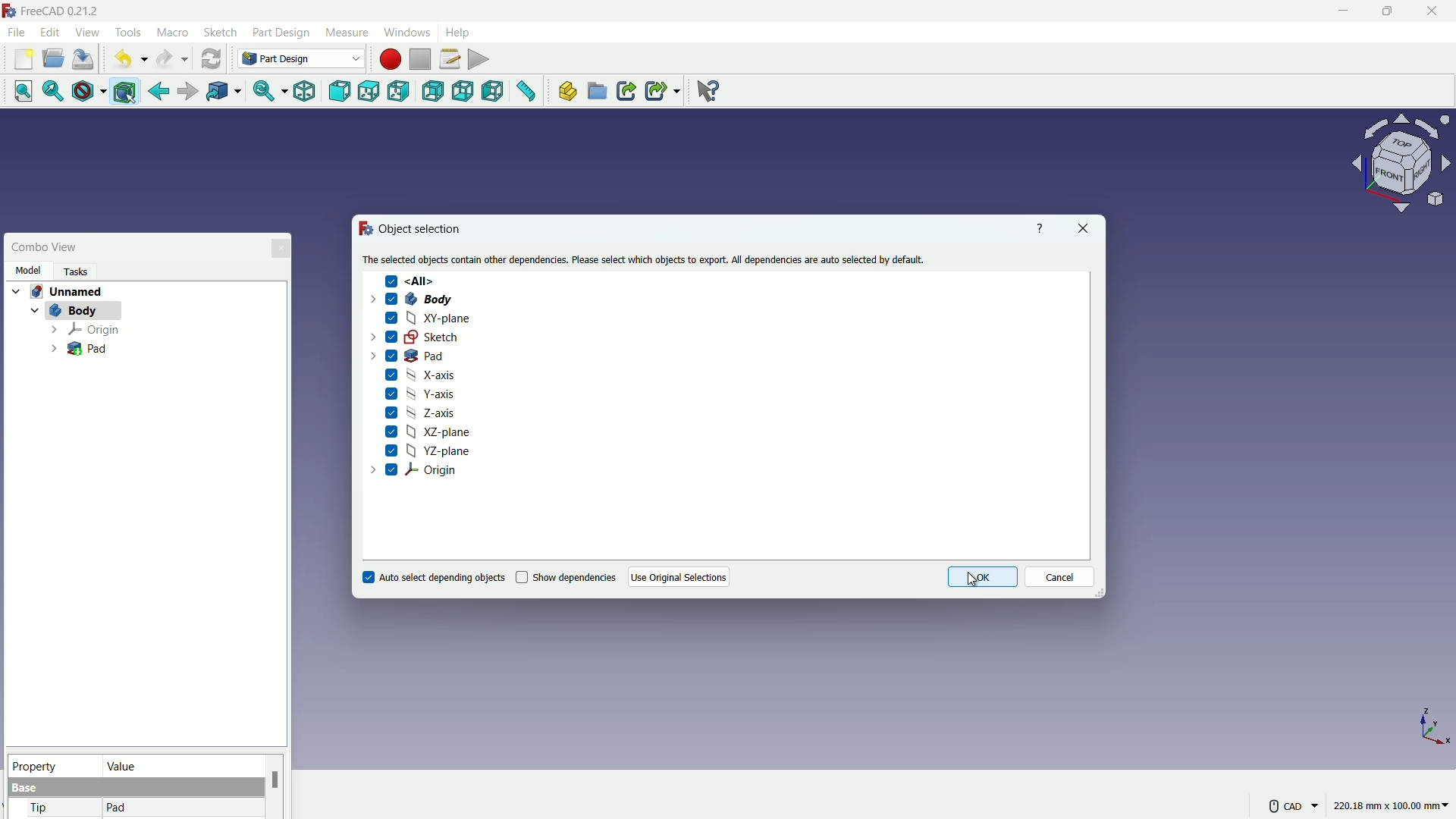 This screenshot has width=1456, height=819. I want to click on preset viewpoint, so click(1406, 171).